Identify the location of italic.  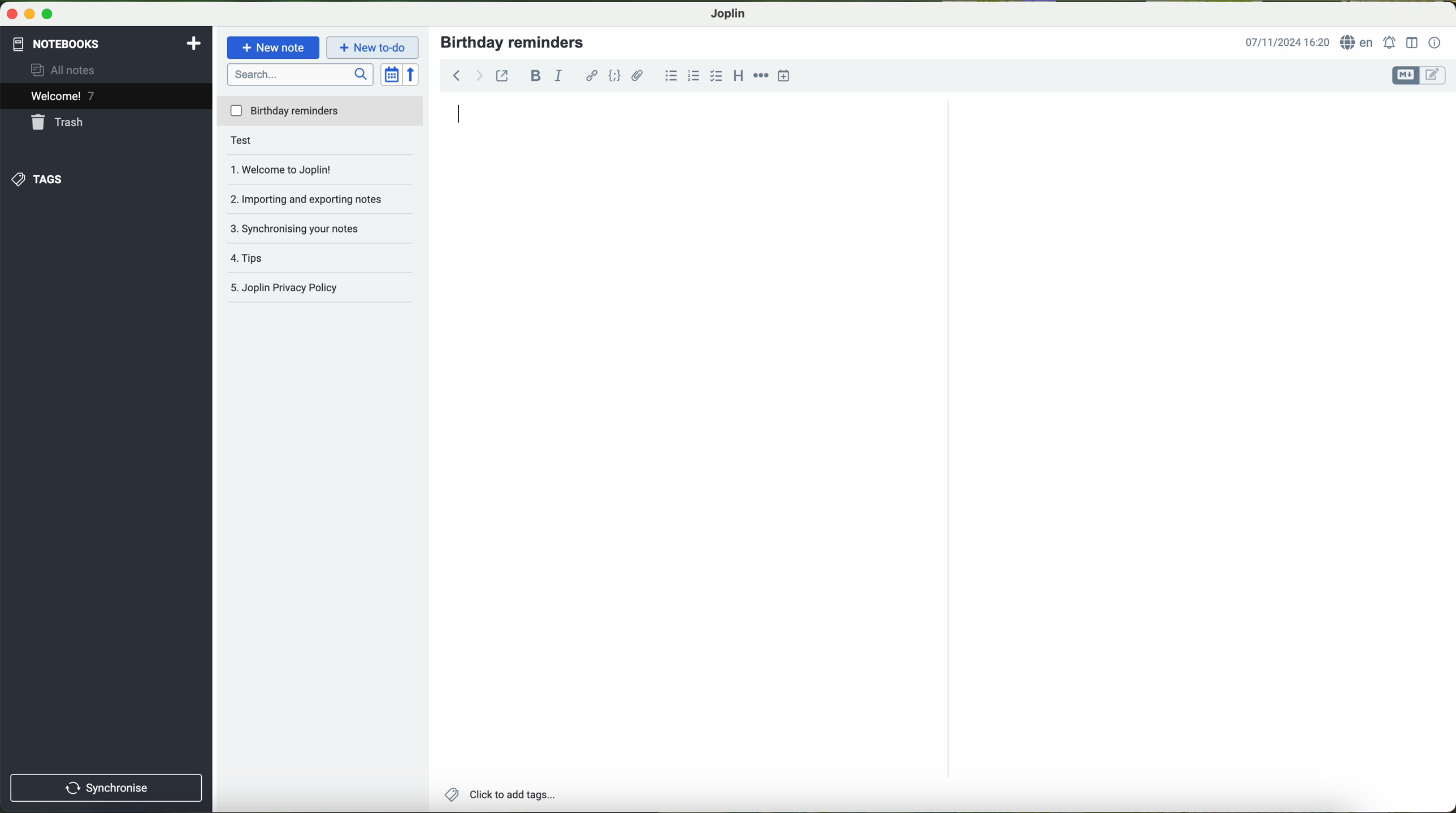
(560, 76).